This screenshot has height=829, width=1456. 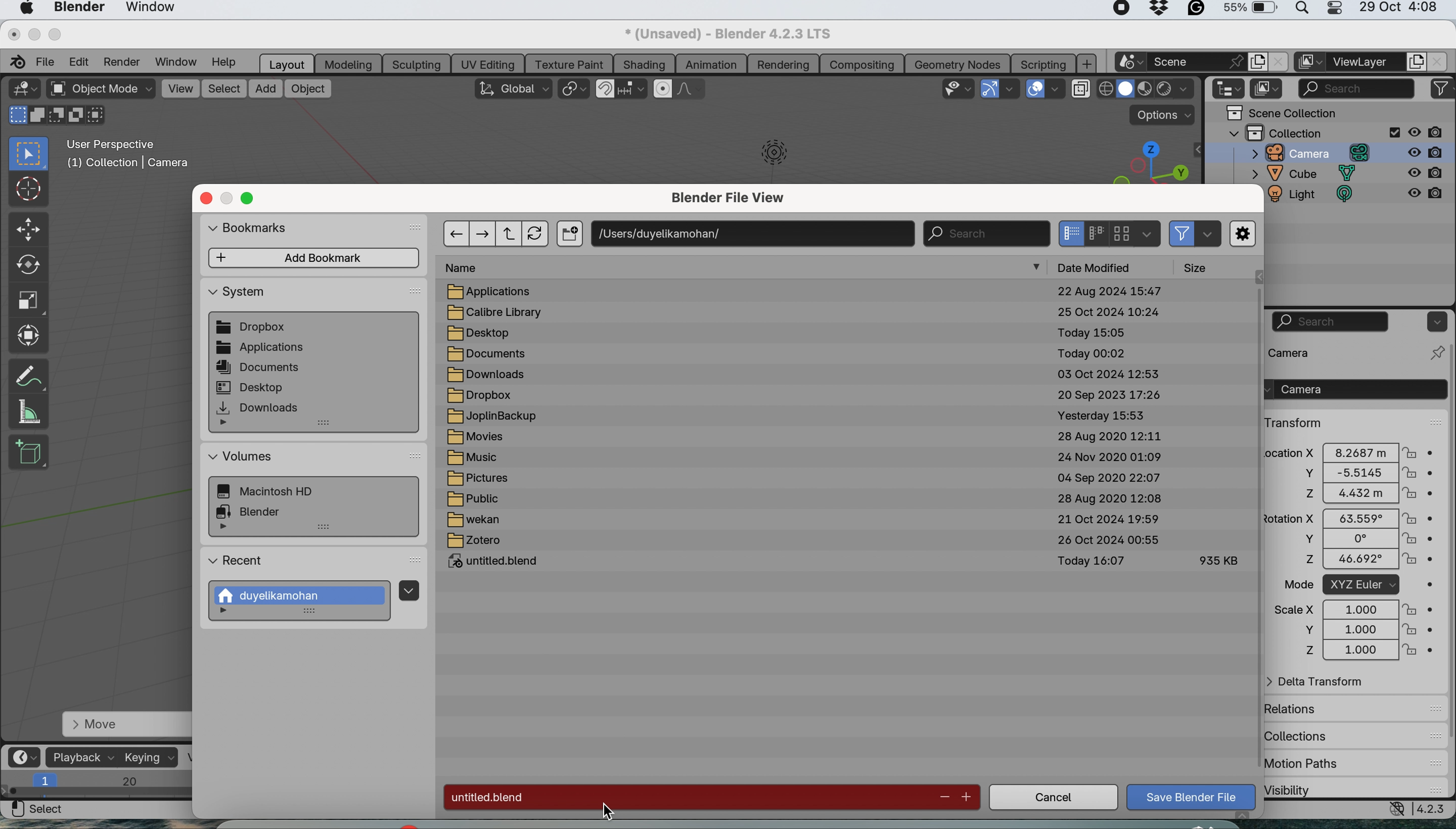 What do you see at coordinates (1143, 162) in the screenshot?
I see `preset views` at bounding box center [1143, 162].